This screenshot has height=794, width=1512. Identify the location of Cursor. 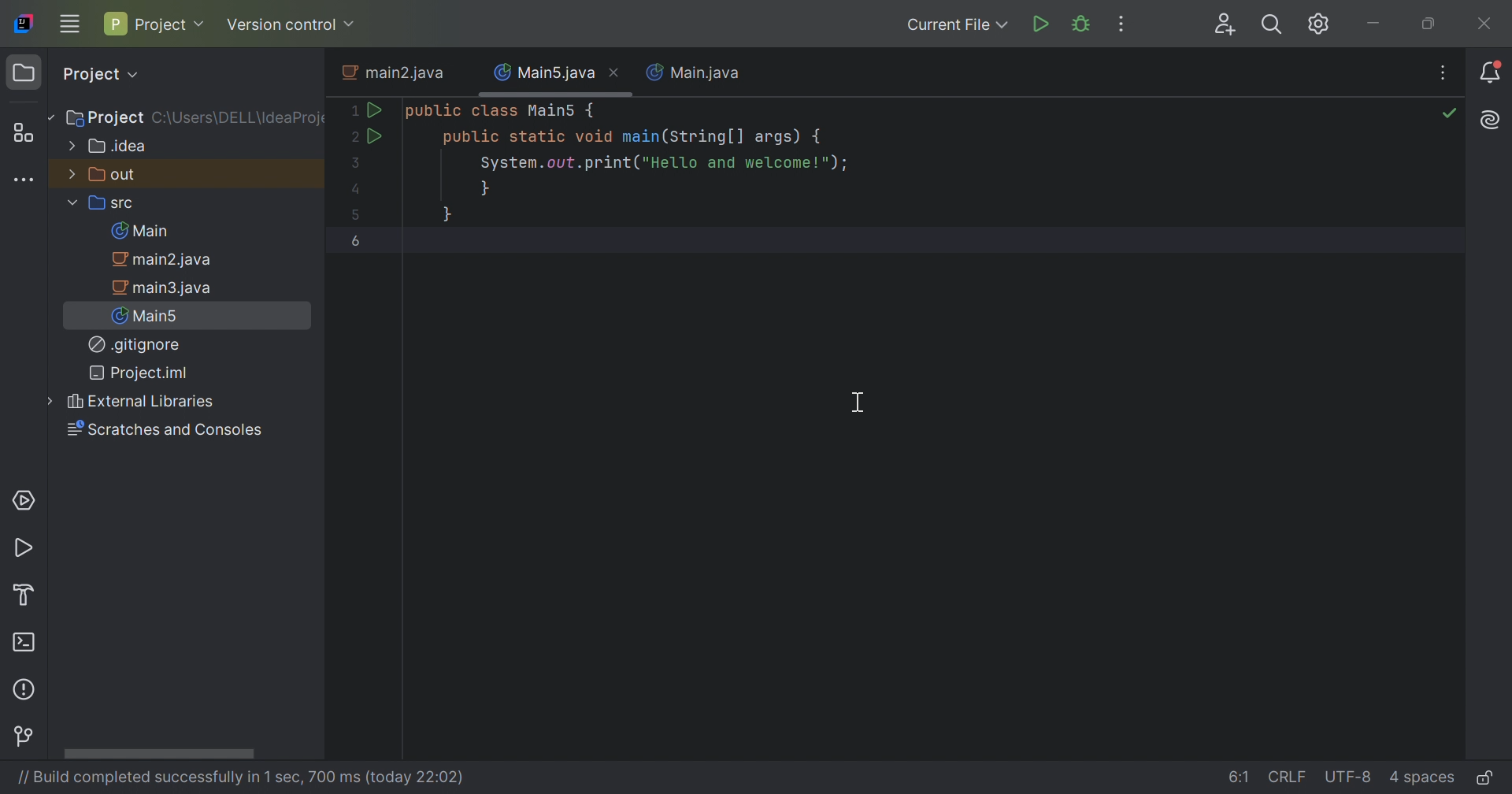
(859, 403).